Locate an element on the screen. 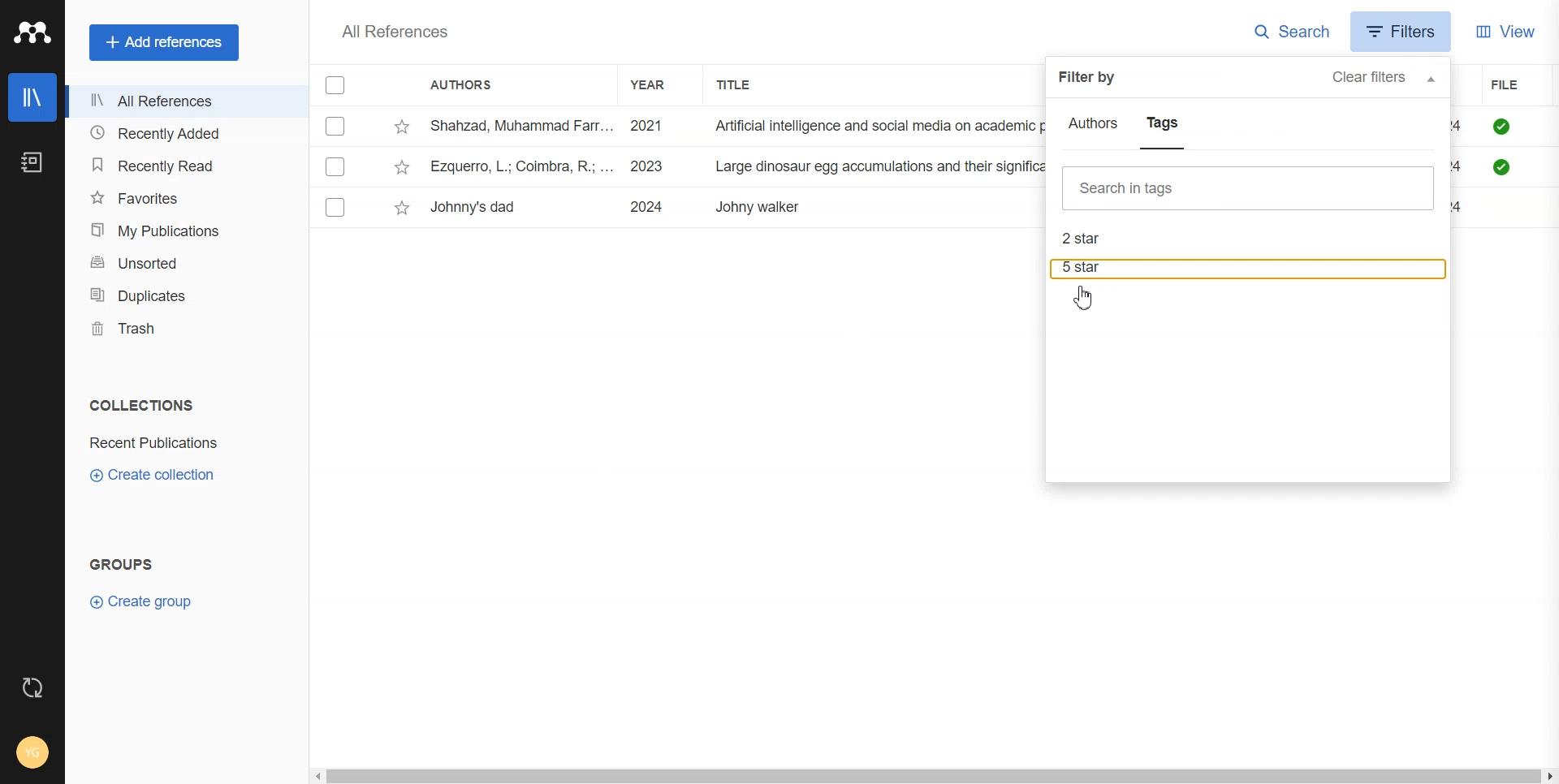  select entry is located at coordinates (335, 127).